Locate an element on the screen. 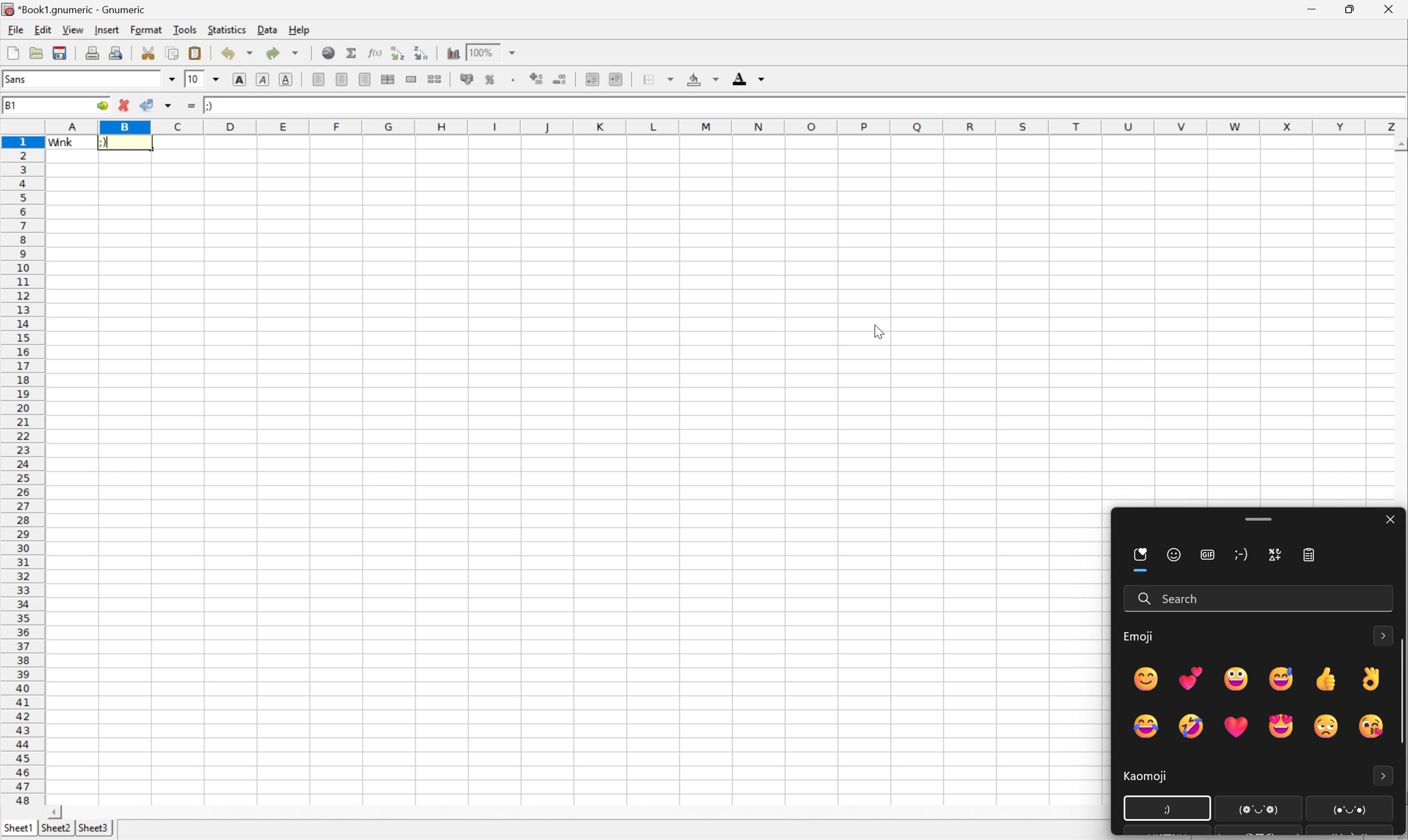 This screenshot has width=1408, height=840. open is located at coordinates (36, 53).